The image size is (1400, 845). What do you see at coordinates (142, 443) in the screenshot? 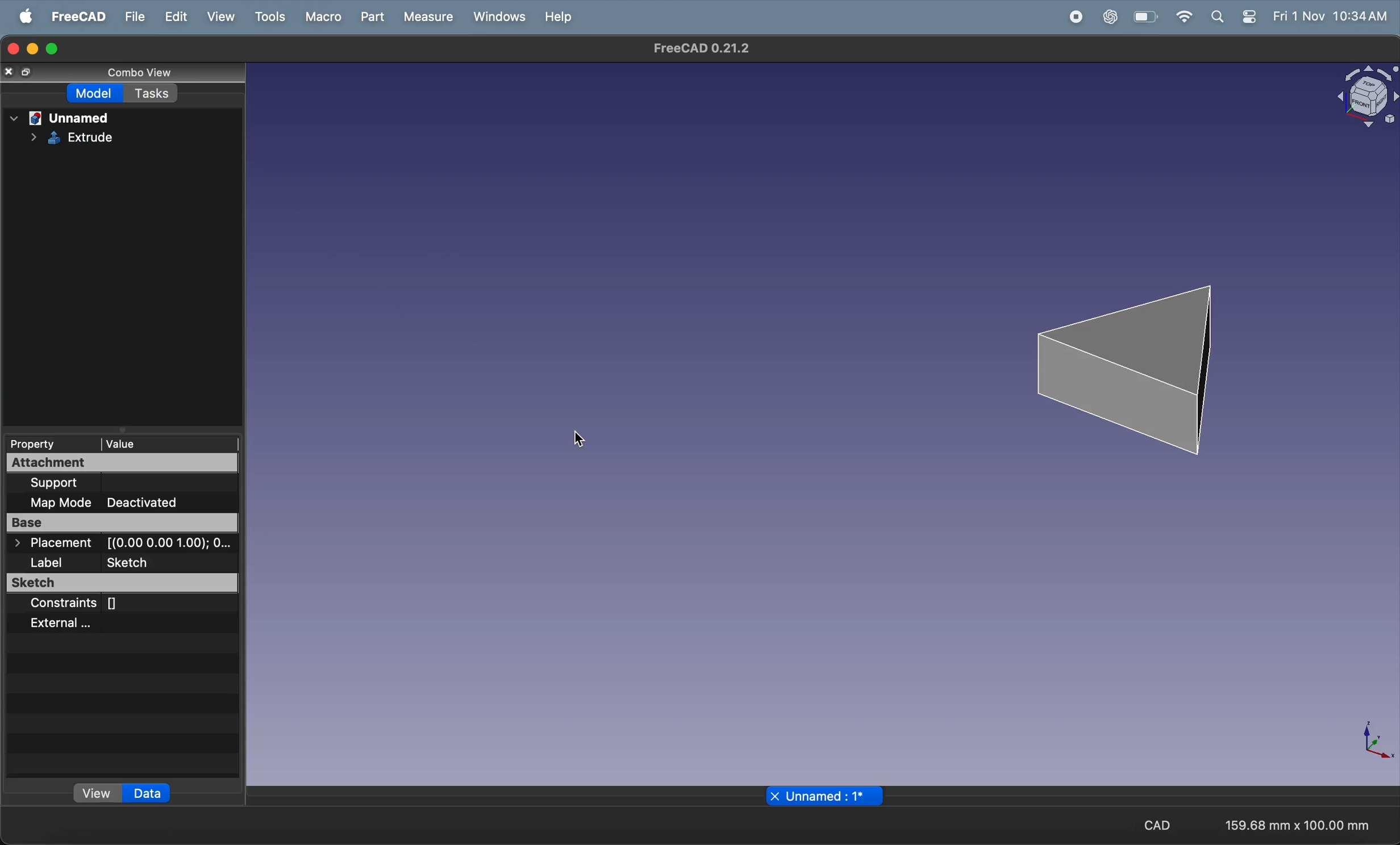
I see `value` at bounding box center [142, 443].